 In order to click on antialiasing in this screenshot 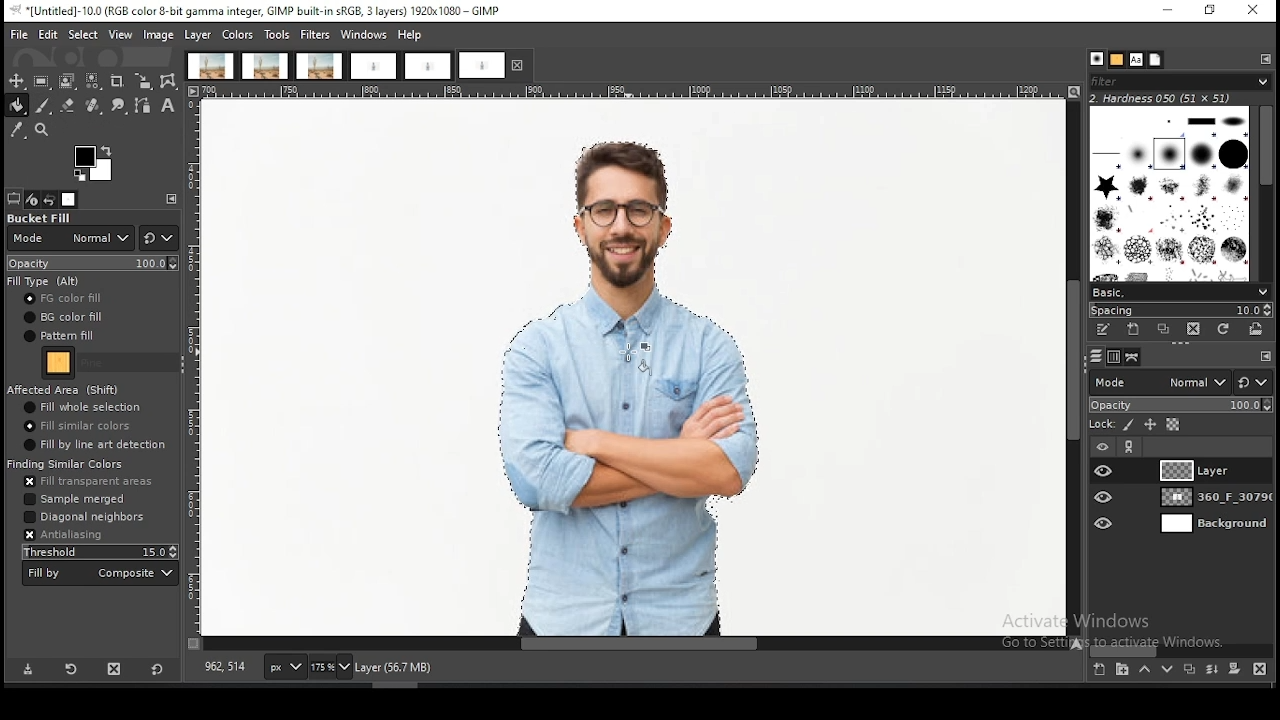, I will do `click(63, 536)`.